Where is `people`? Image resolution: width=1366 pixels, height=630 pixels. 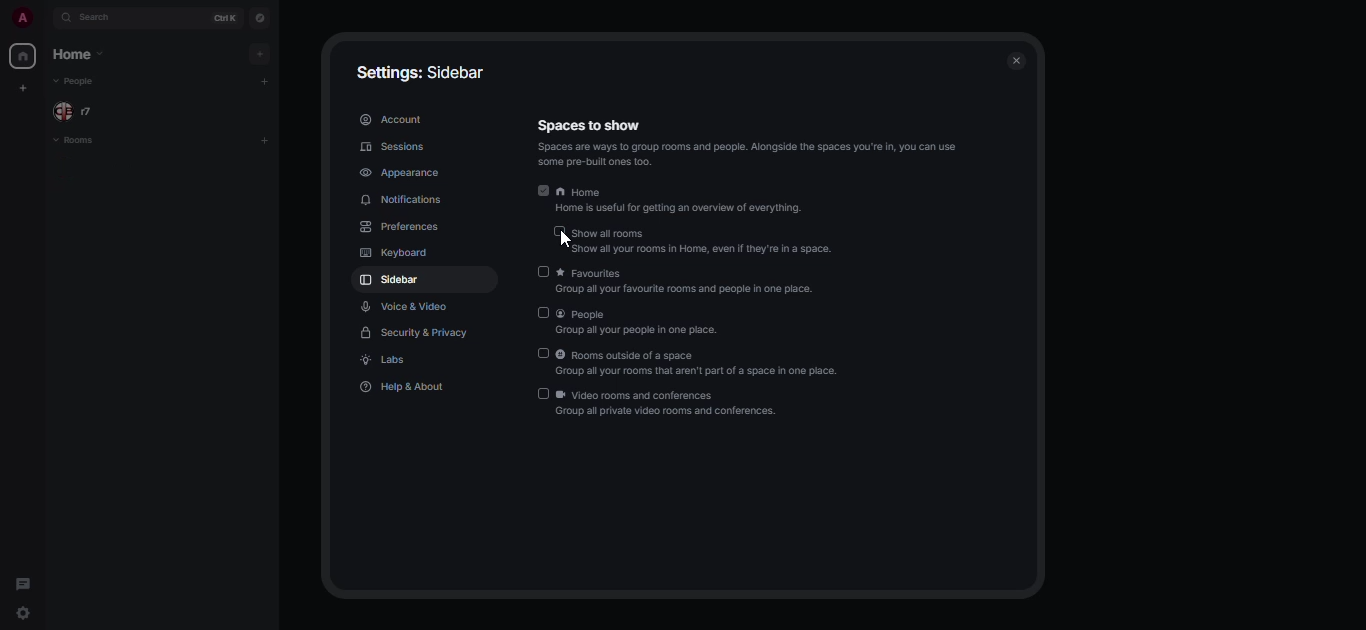
people is located at coordinates (645, 321).